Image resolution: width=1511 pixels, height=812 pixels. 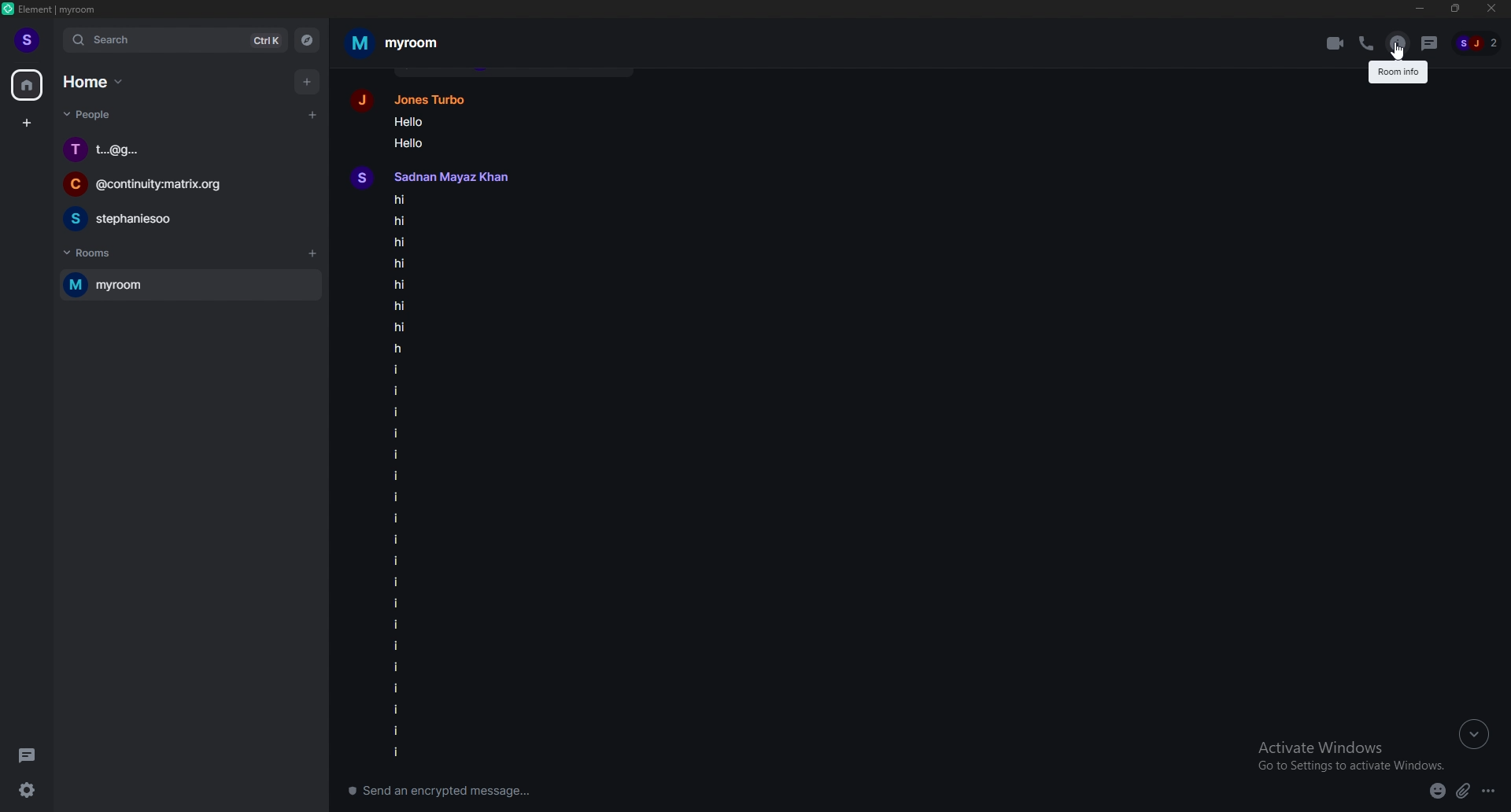 I want to click on start chat, so click(x=313, y=113).